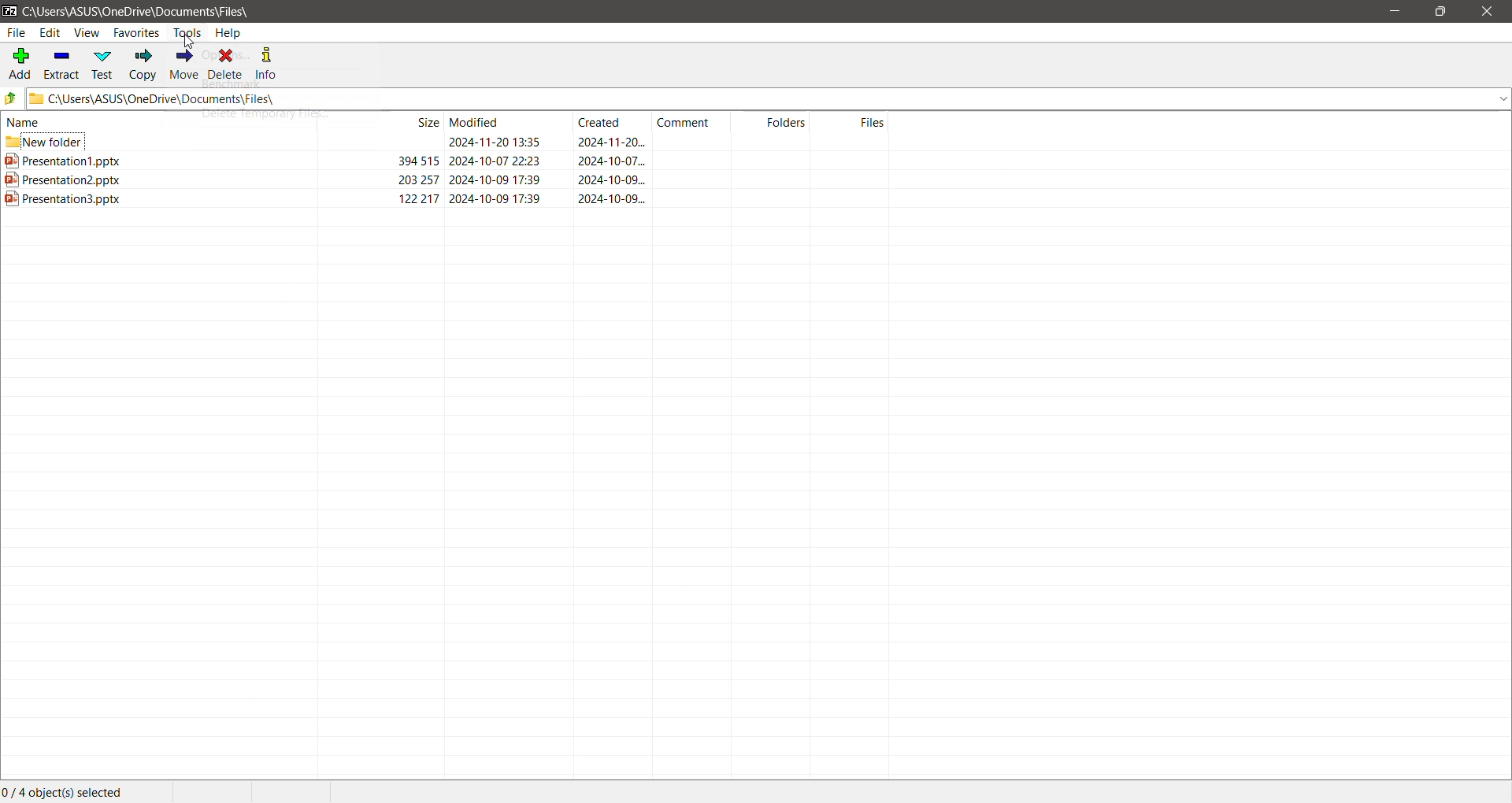 Image resolution: width=1512 pixels, height=803 pixels. I want to click on Favorites, so click(133, 35).